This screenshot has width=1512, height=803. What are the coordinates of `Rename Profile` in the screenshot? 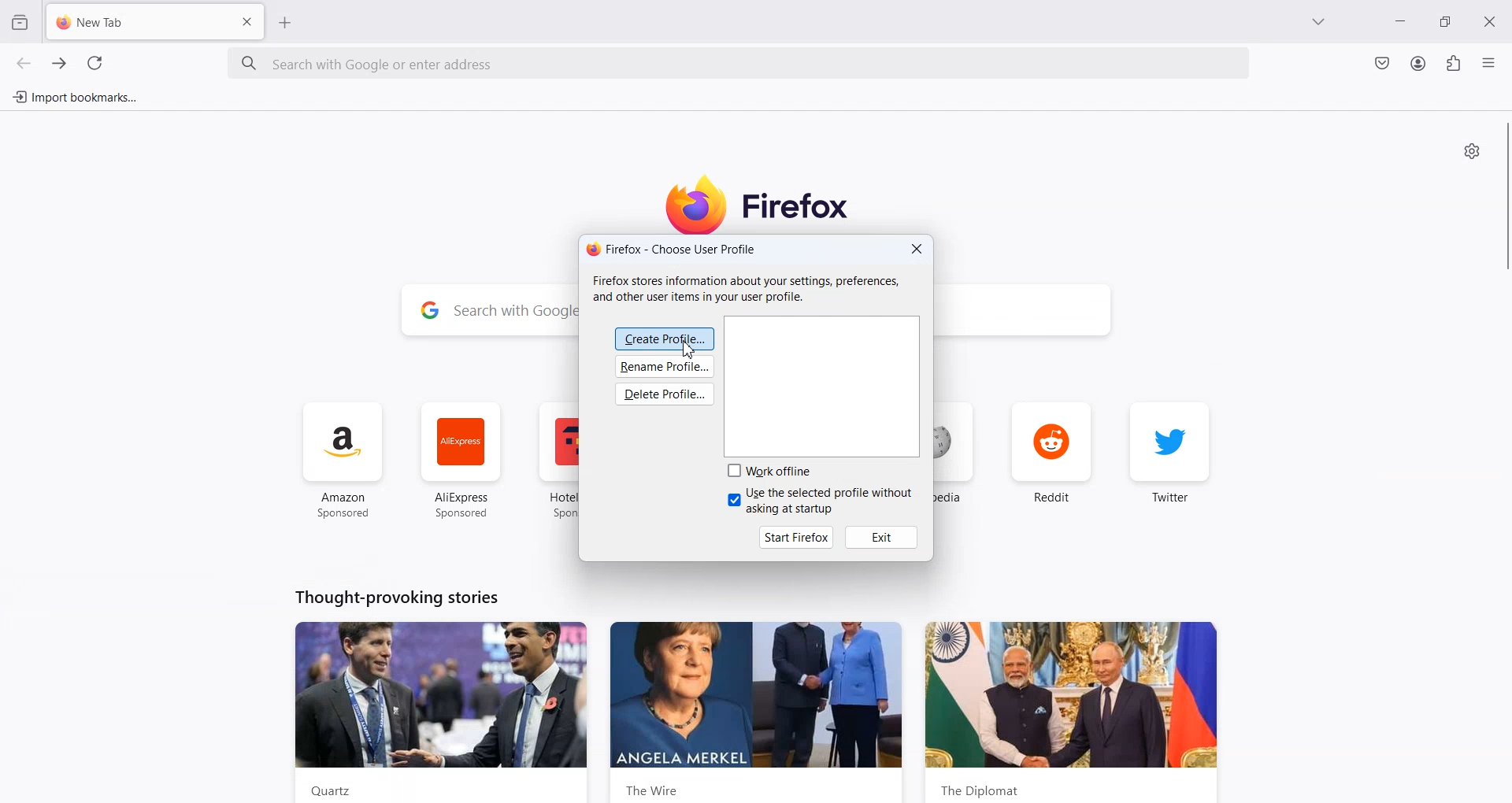 It's located at (665, 368).